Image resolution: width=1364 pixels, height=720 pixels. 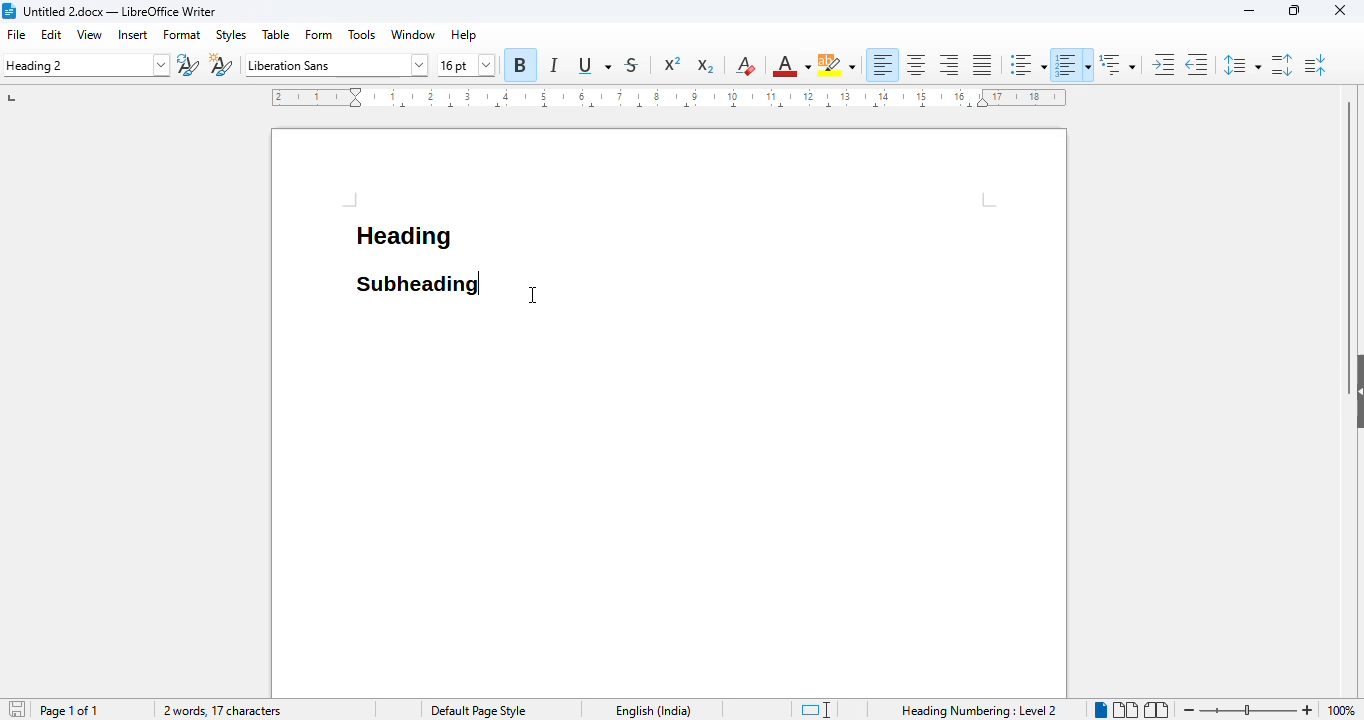 I want to click on edit, so click(x=51, y=34).